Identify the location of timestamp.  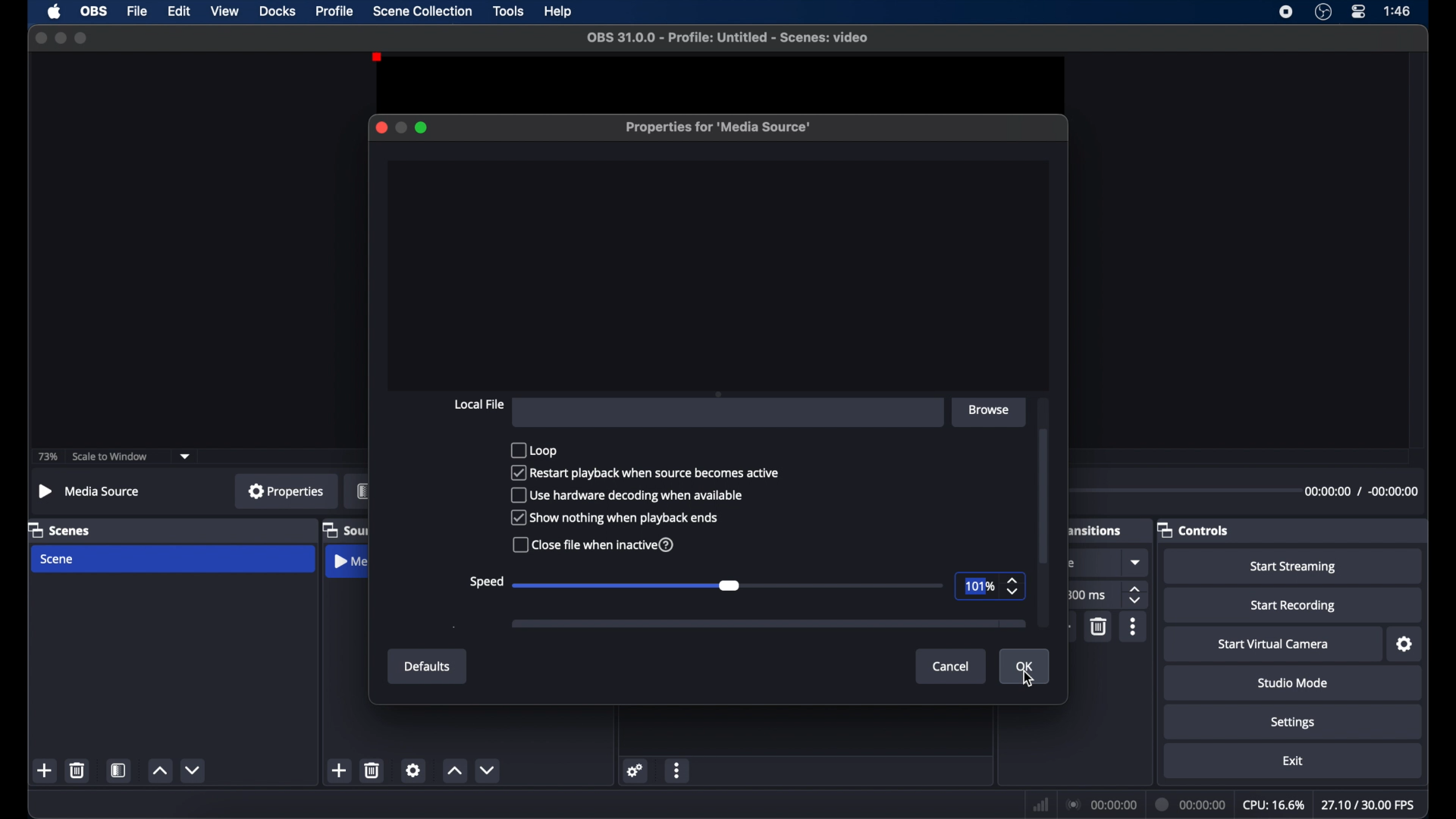
(1363, 491).